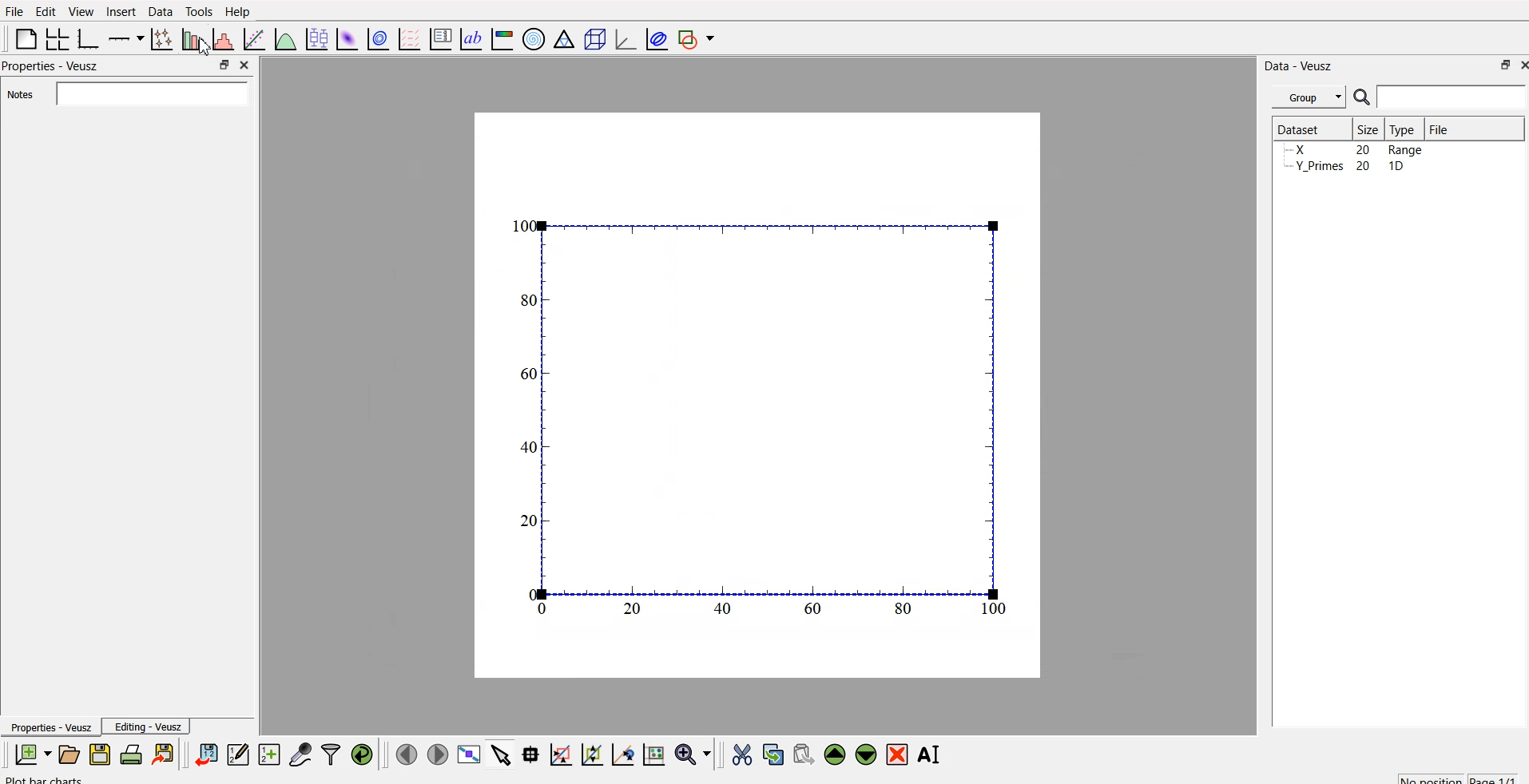  What do you see at coordinates (252, 38) in the screenshot?
I see `fit function to data` at bounding box center [252, 38].